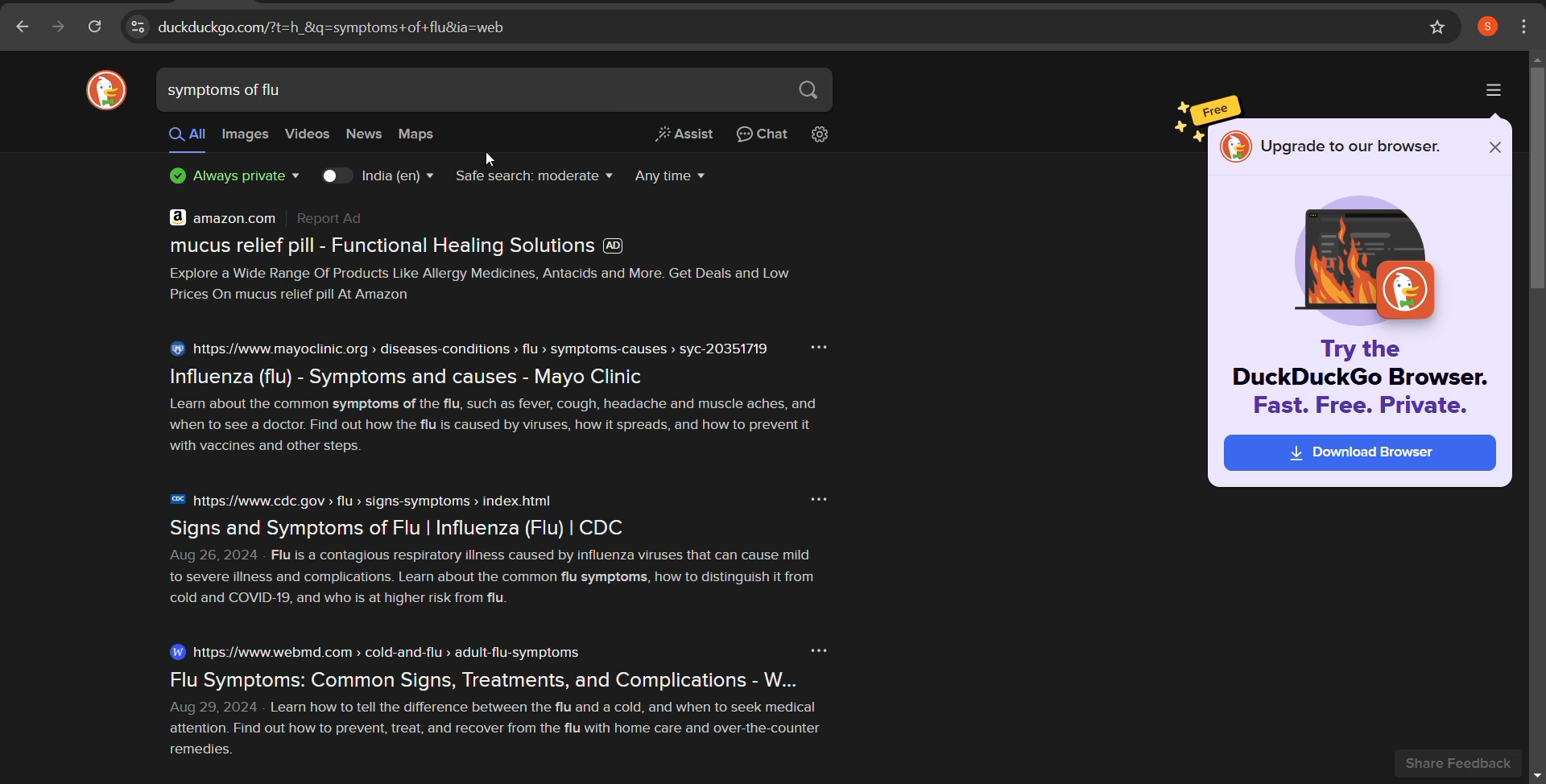 The width and height of the screenshot is (1546, 784). Describe the element at coordinates (824, 345) in the screenshot. I see `more option` at that location.